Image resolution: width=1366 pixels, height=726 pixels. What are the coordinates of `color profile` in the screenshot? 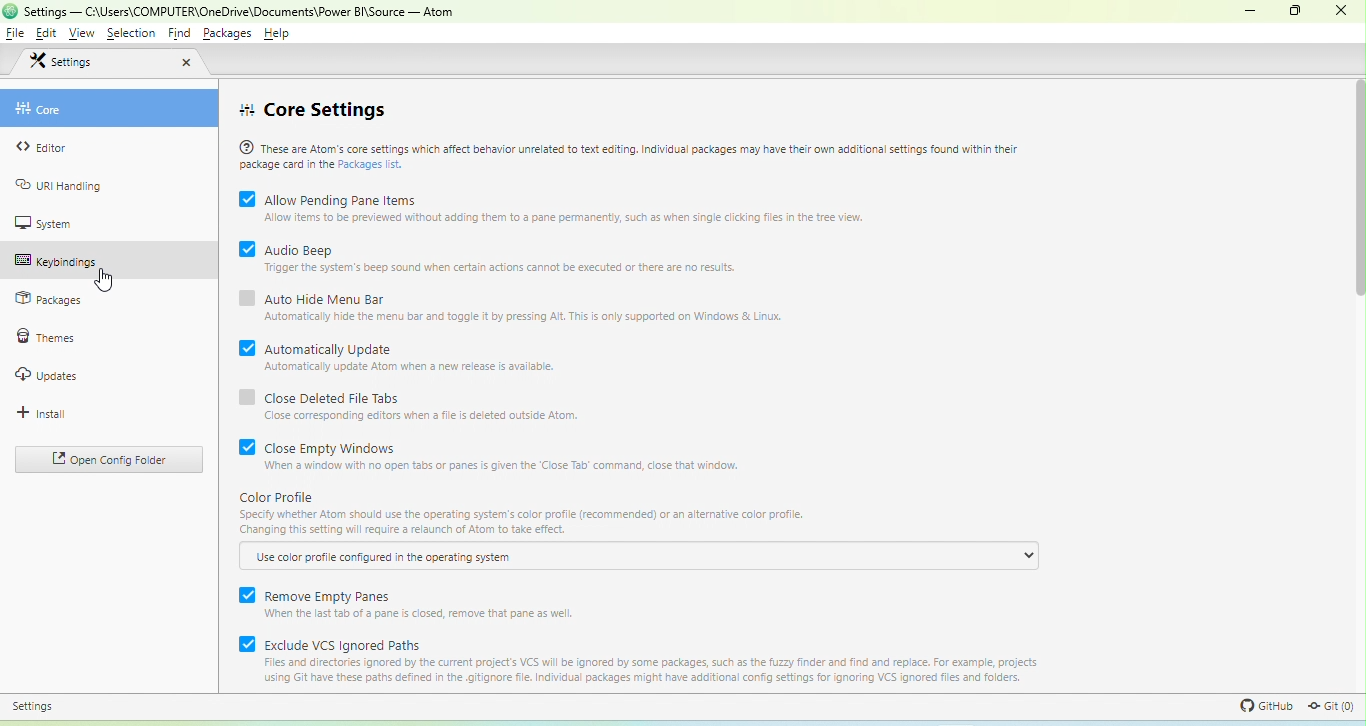 It's located at (280, 497).